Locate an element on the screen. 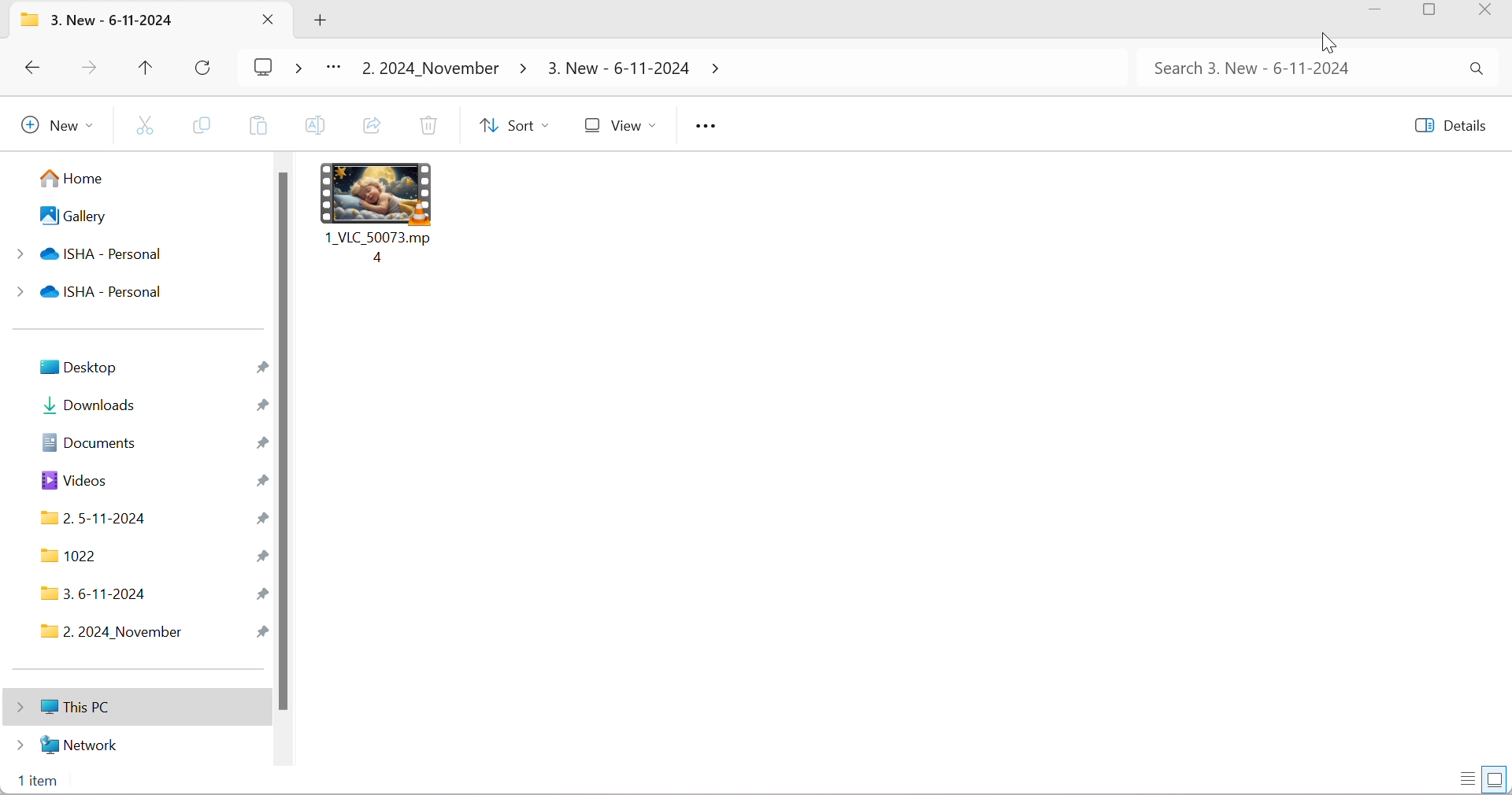 The image size is (1512, 795). 1 item is located at coordinates (43, 782).